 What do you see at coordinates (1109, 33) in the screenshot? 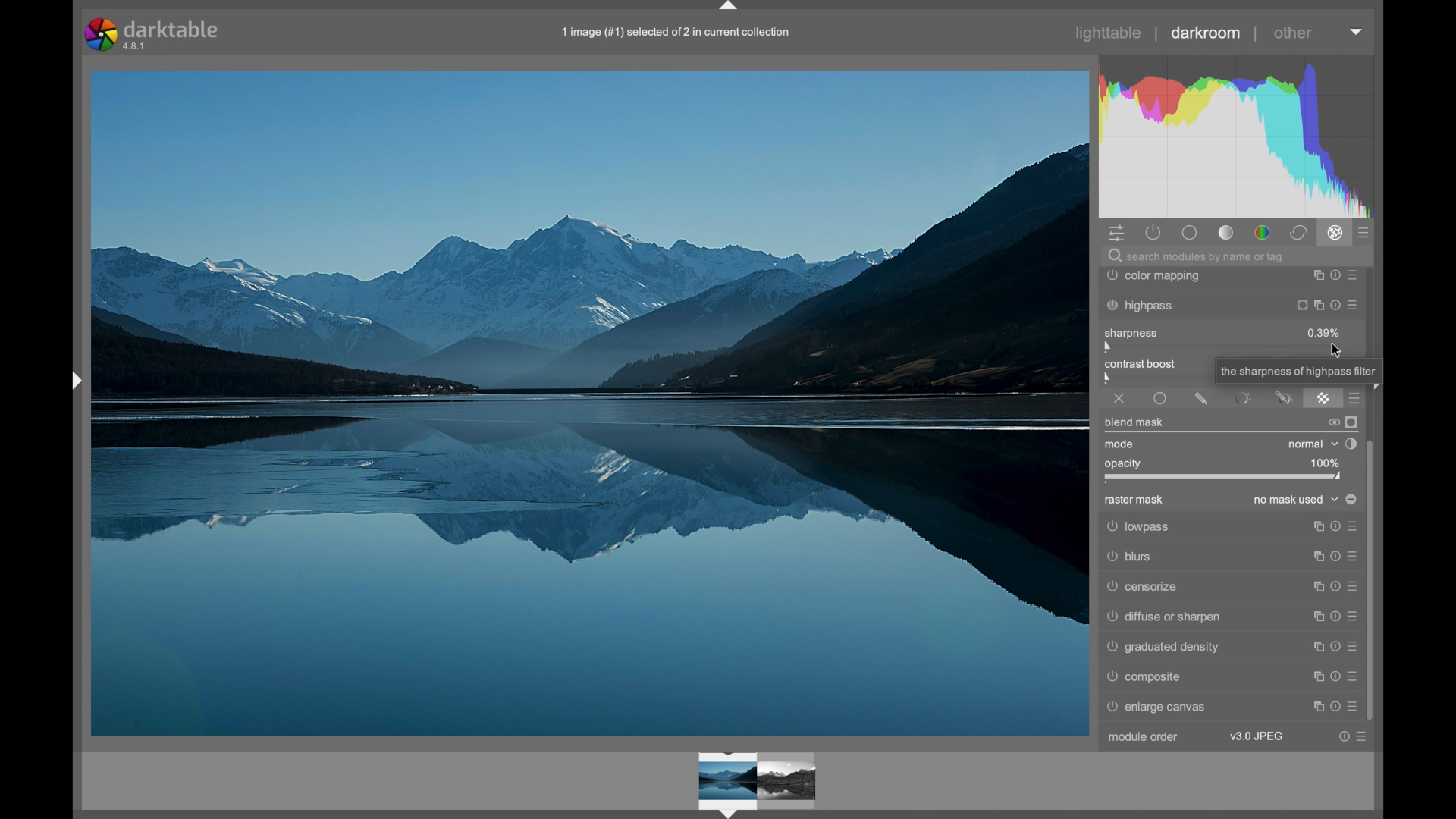
I see `lighttable` at bounding box center [1109, 33].